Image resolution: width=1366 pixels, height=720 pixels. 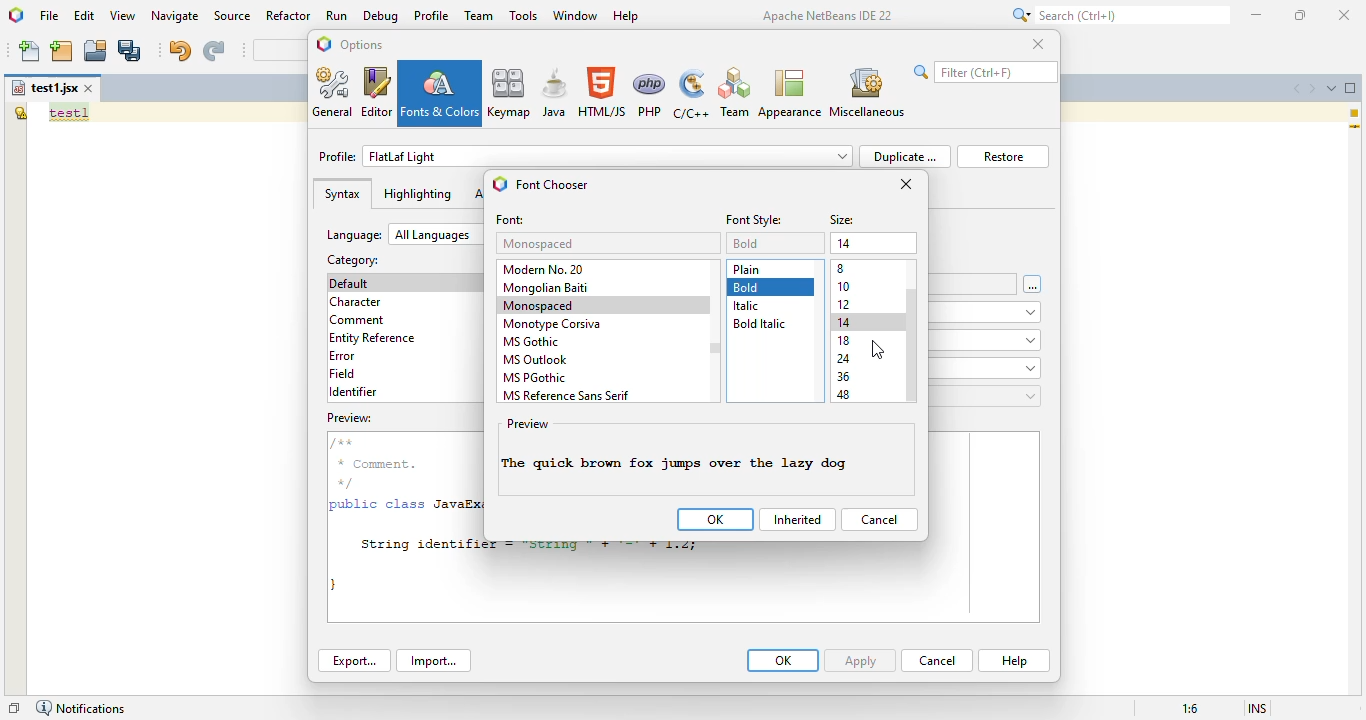 What do you see at coordinates (533, 341) in the screenshot?
I see `MS gothic` at bounding box center [533, 341].